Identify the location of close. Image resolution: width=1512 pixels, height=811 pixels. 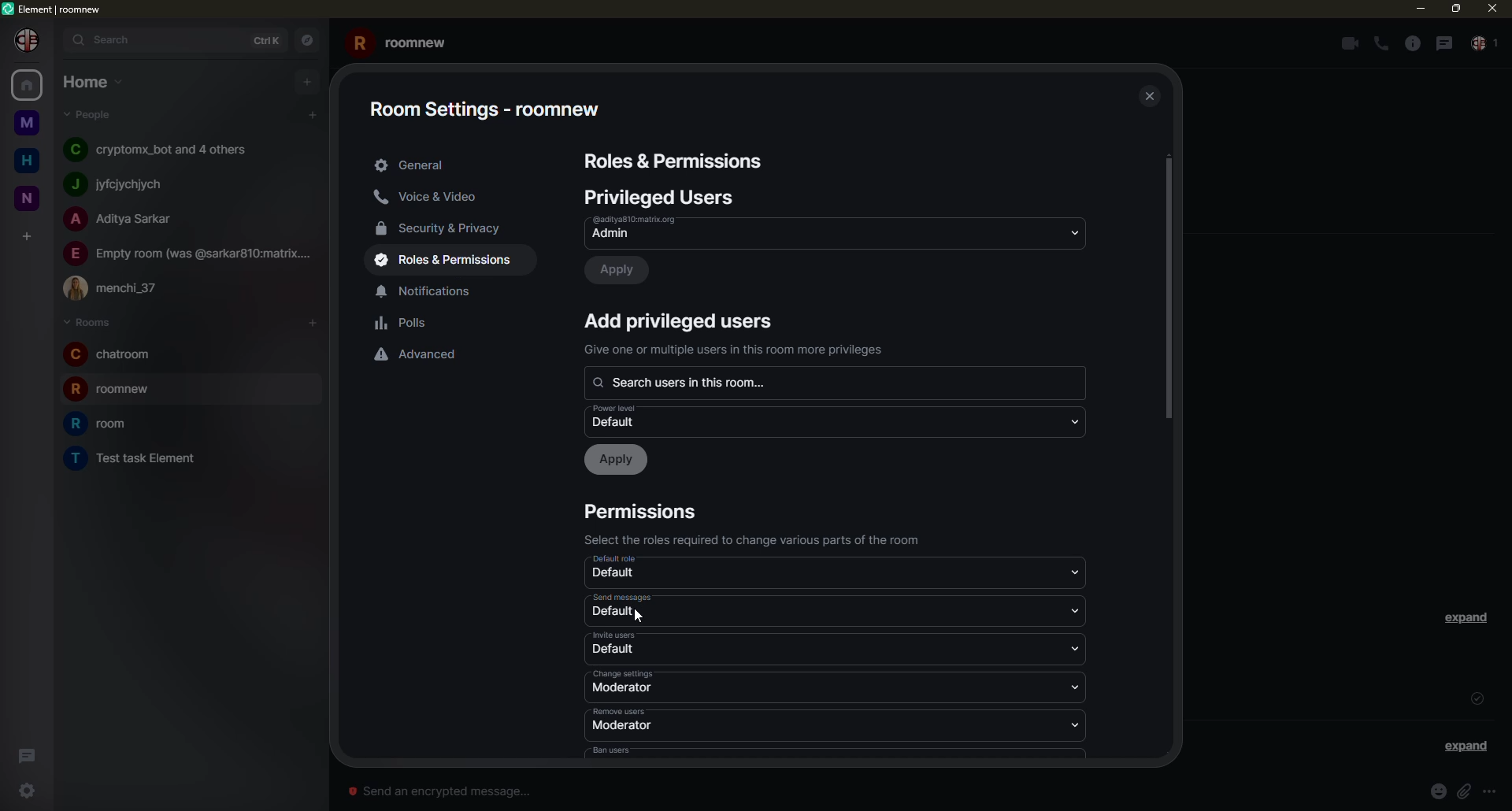
(1147, 94).